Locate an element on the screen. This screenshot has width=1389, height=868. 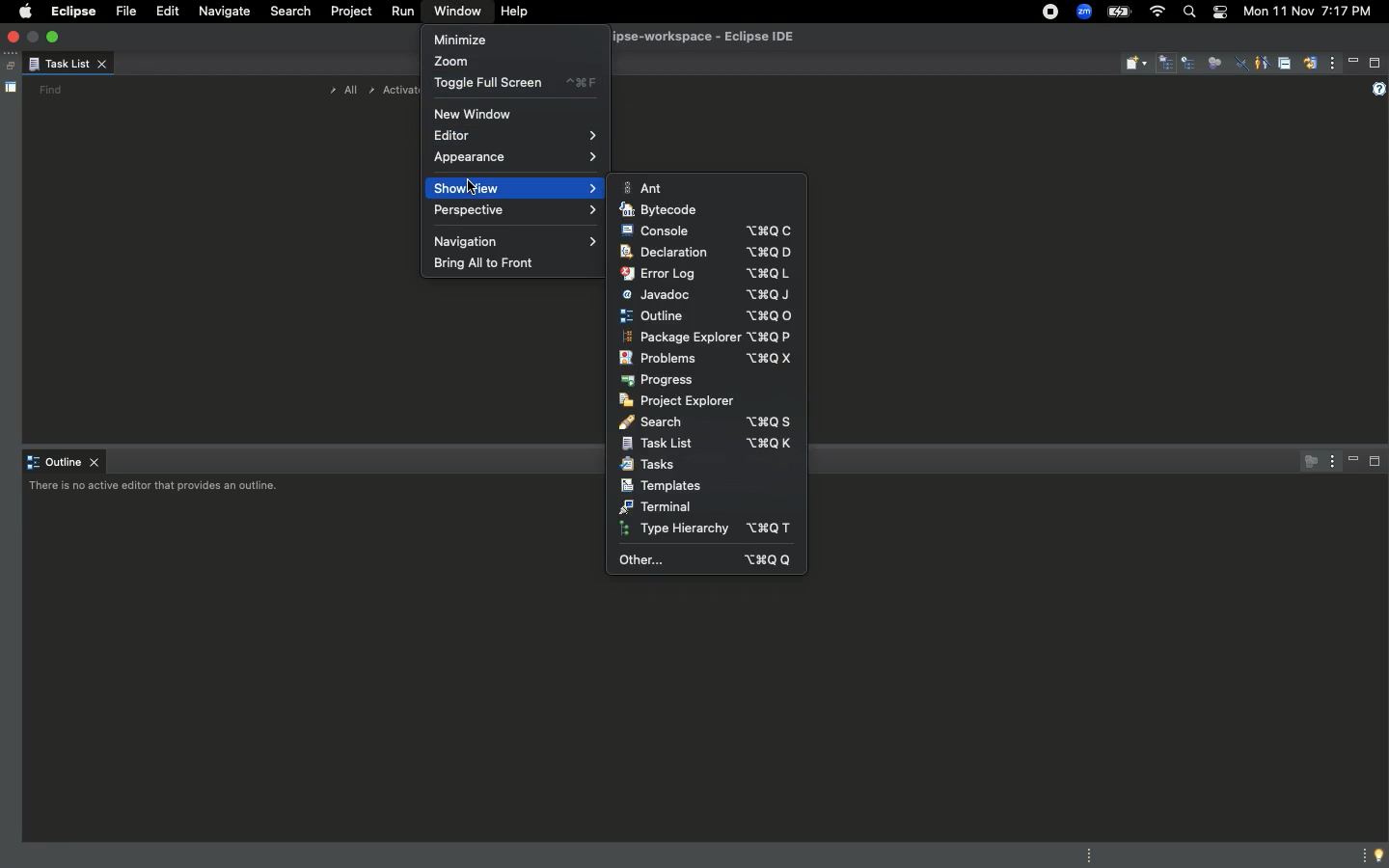
Project explorer is located at coordinates (680, 400).